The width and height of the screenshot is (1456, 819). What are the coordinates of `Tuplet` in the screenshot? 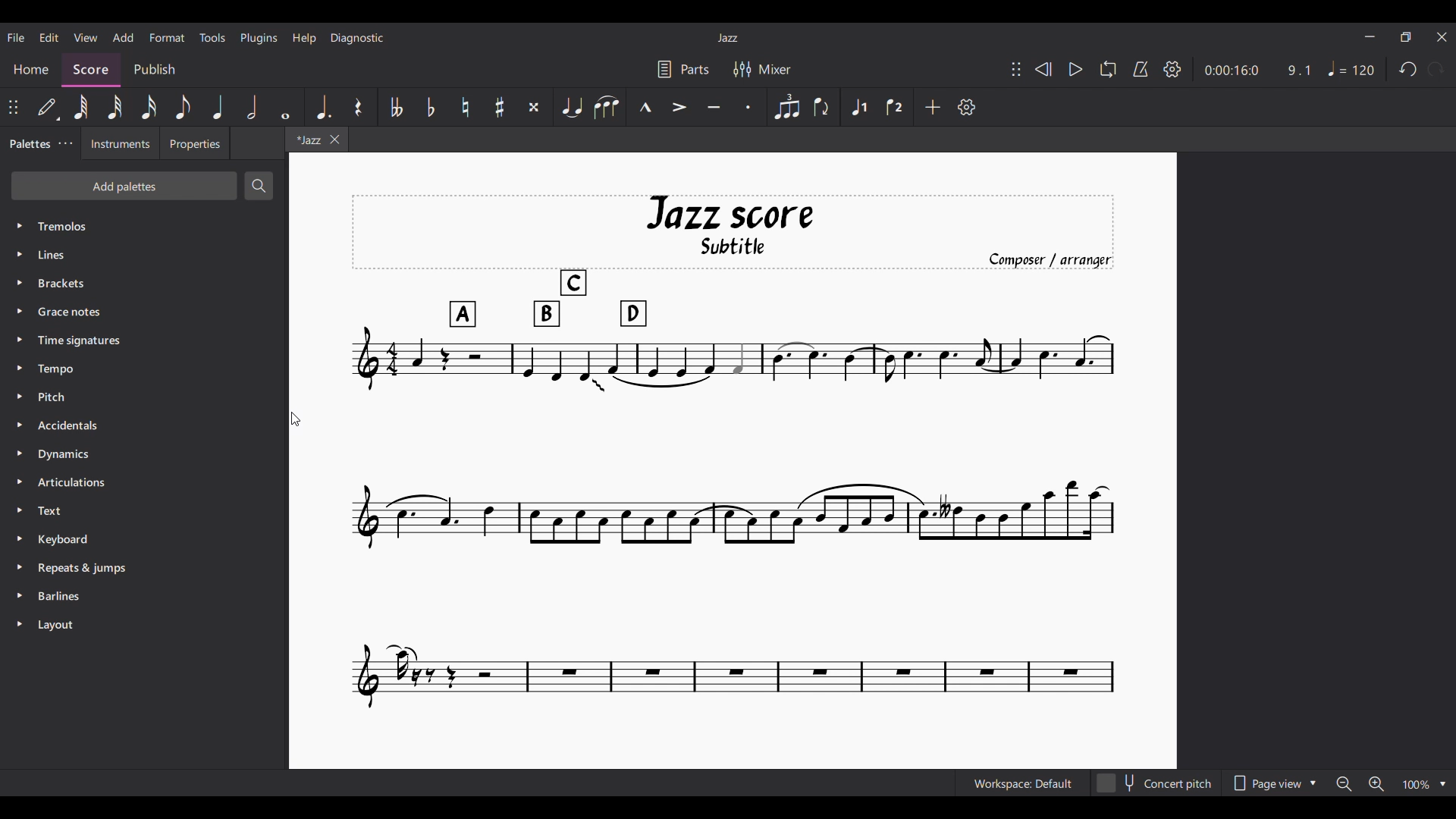 It's located at (788, 107).